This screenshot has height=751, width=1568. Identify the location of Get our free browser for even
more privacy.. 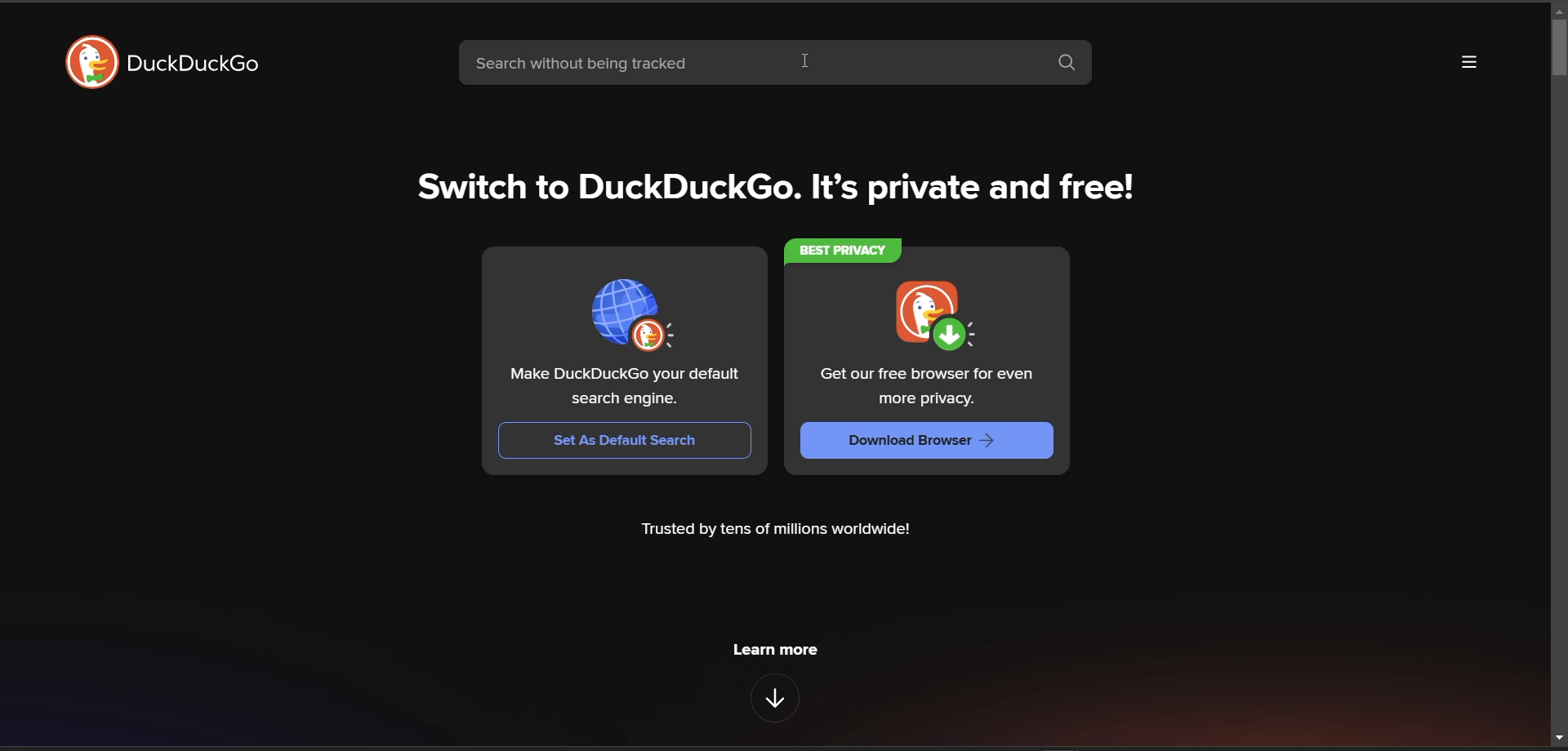
(929, 387).